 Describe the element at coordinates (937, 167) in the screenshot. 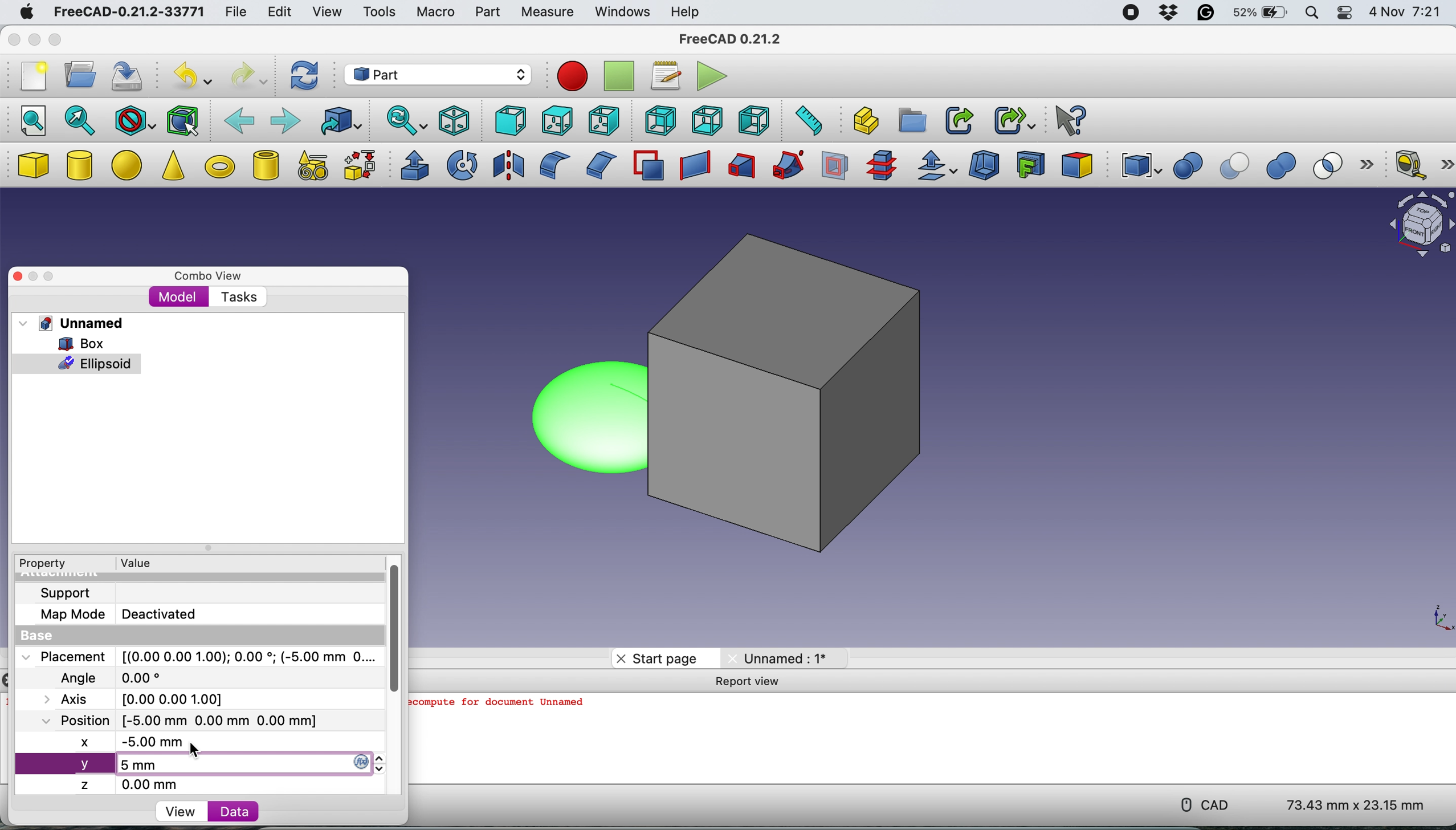

I see `offset` at that location.